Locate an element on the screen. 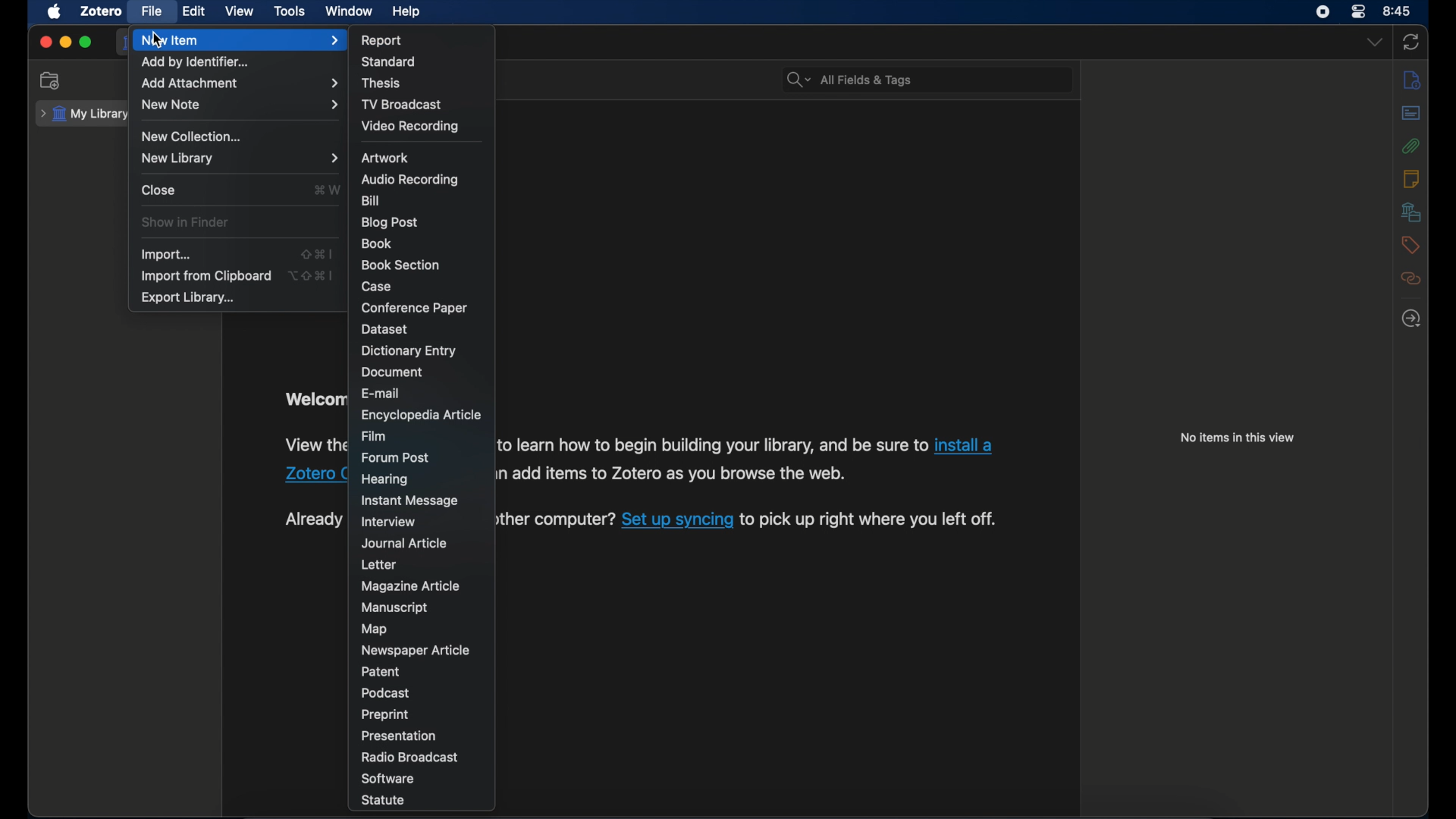  interview is located at coordinates (391, 521).